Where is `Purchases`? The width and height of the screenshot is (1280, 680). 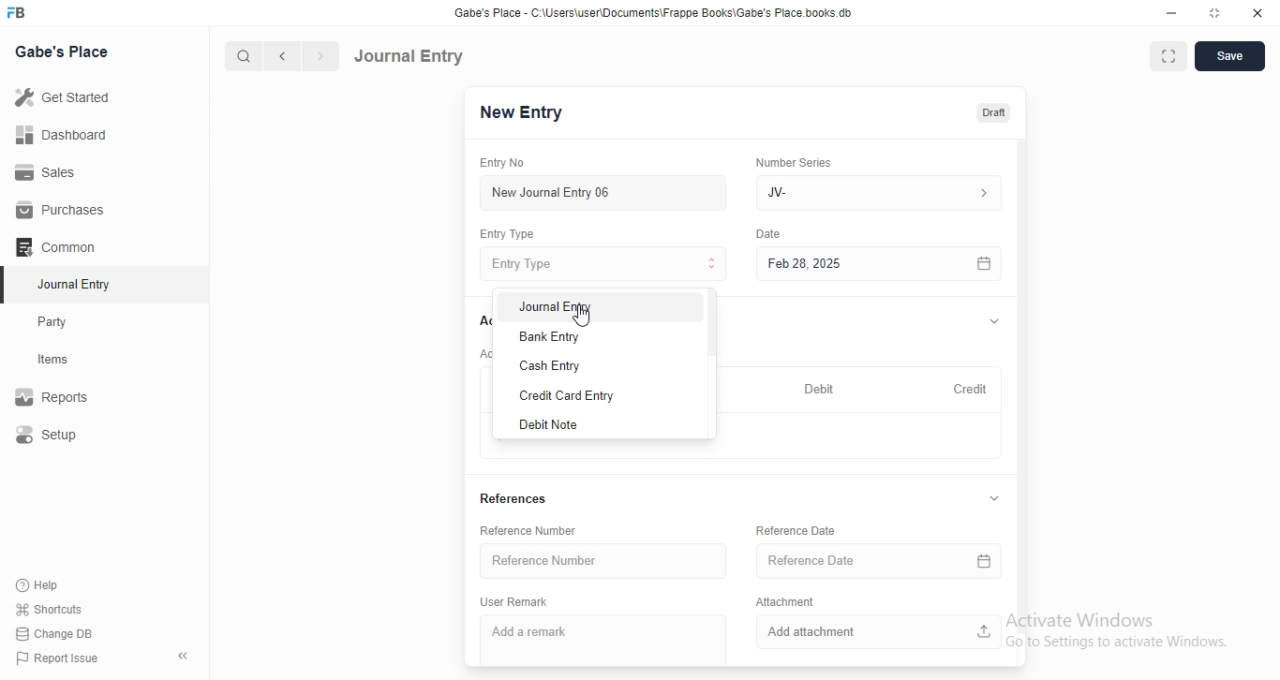 Purchases is located at coordinates (63, 210).